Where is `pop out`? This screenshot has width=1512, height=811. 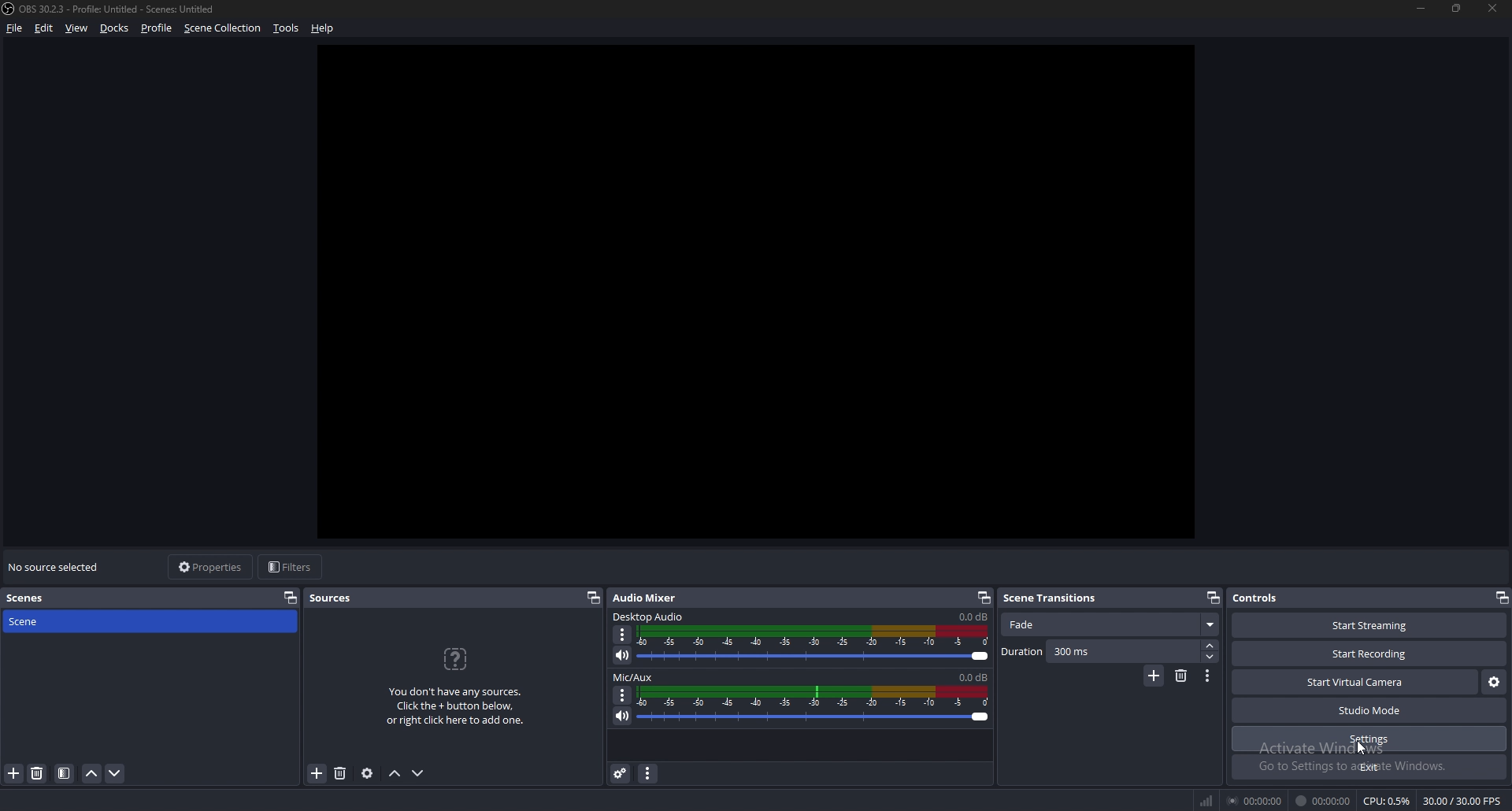
pop out is located at coordinates (1214, 597).